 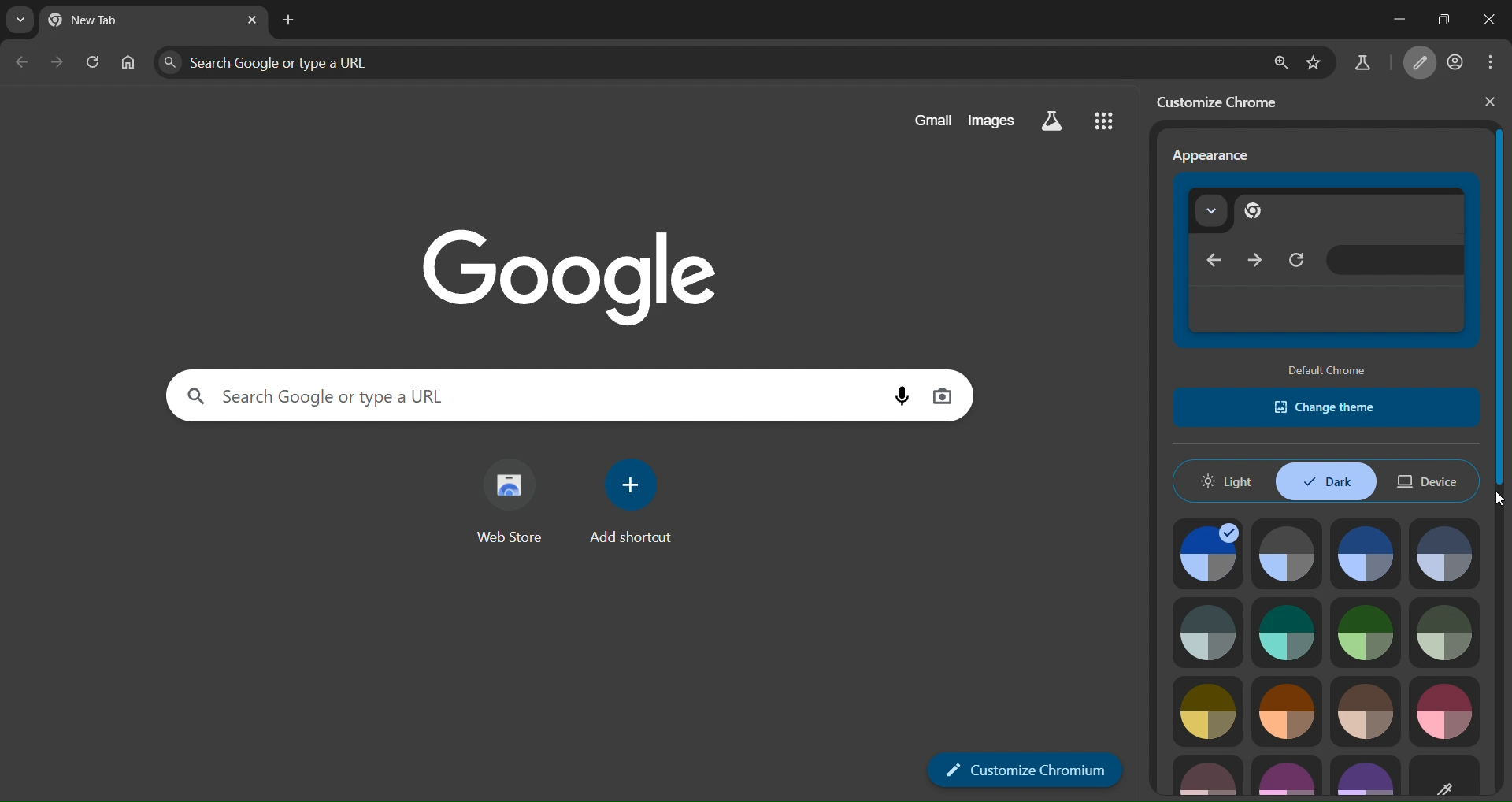 I want to click on reload, so click(x=94, y=61).